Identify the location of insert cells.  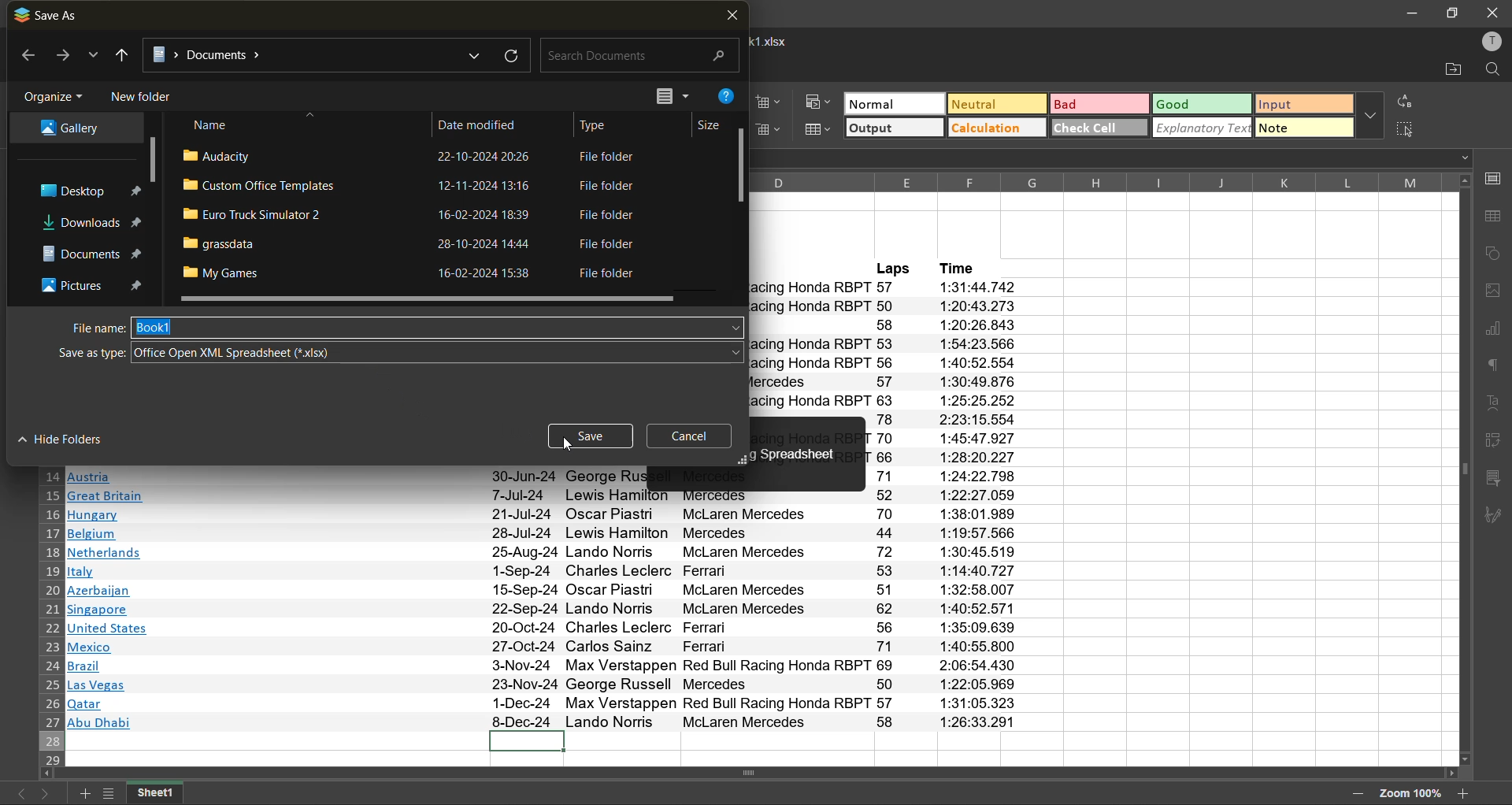
(770, 99).